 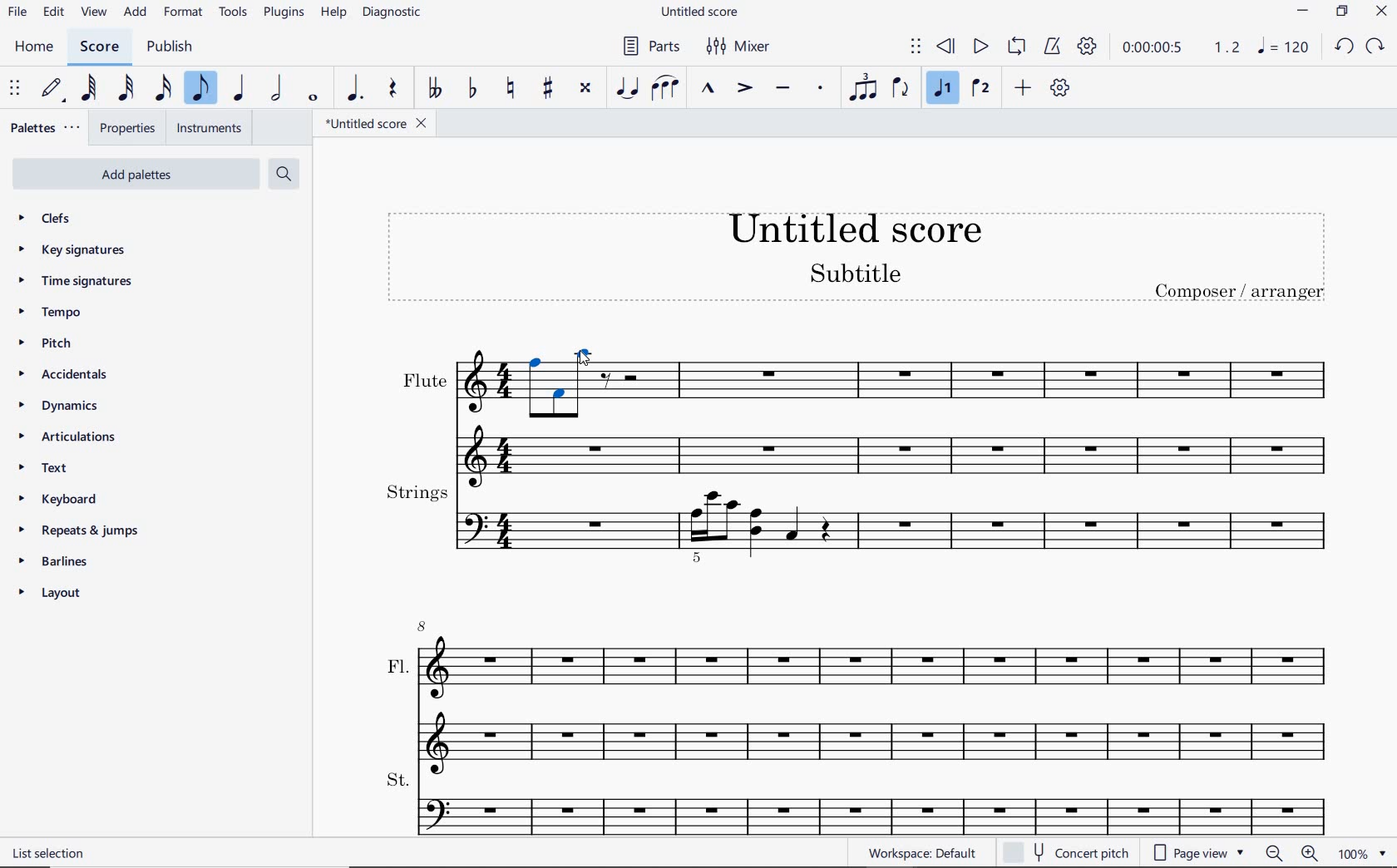 What do you see at coordinates (736, 47) in the screenshot?
I see `MIXER` at bounding box center [736, 47].